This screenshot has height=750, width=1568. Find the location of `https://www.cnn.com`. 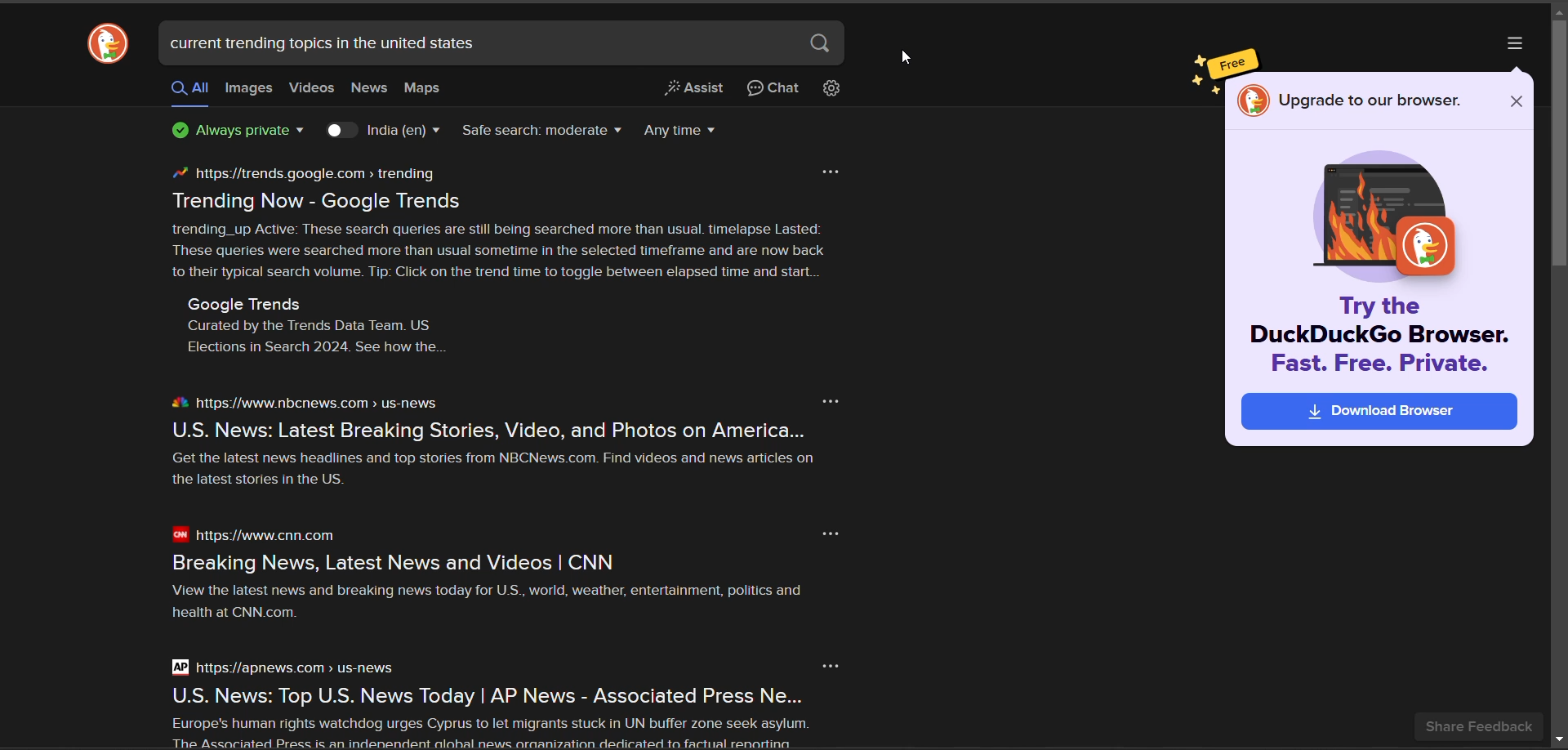

https://www.cnn.com is located at coordinates (254, 537).